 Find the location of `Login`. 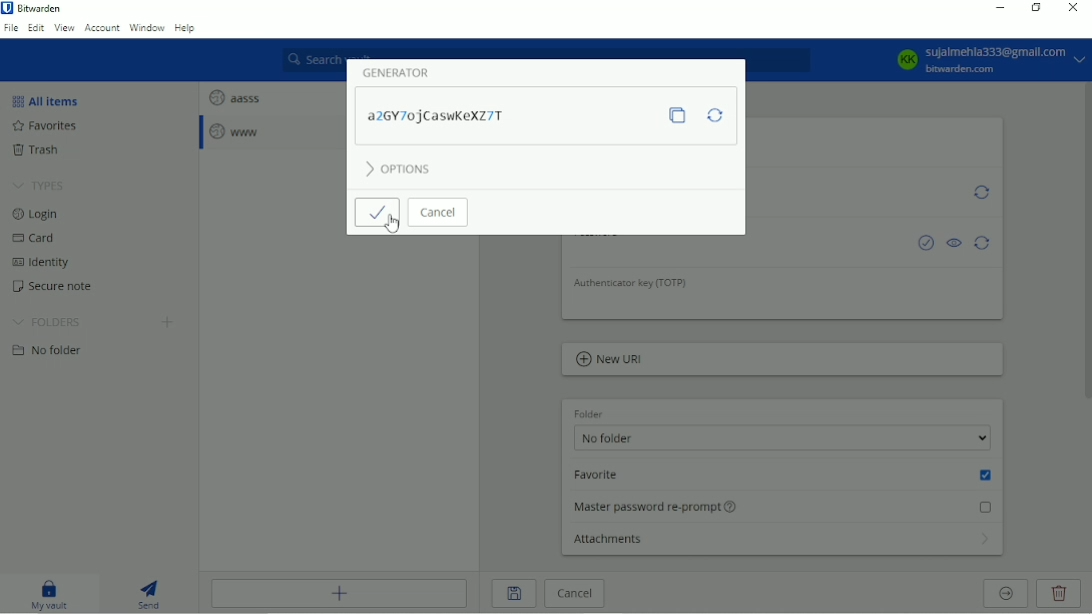

Login is located at coordinates (35, 214).